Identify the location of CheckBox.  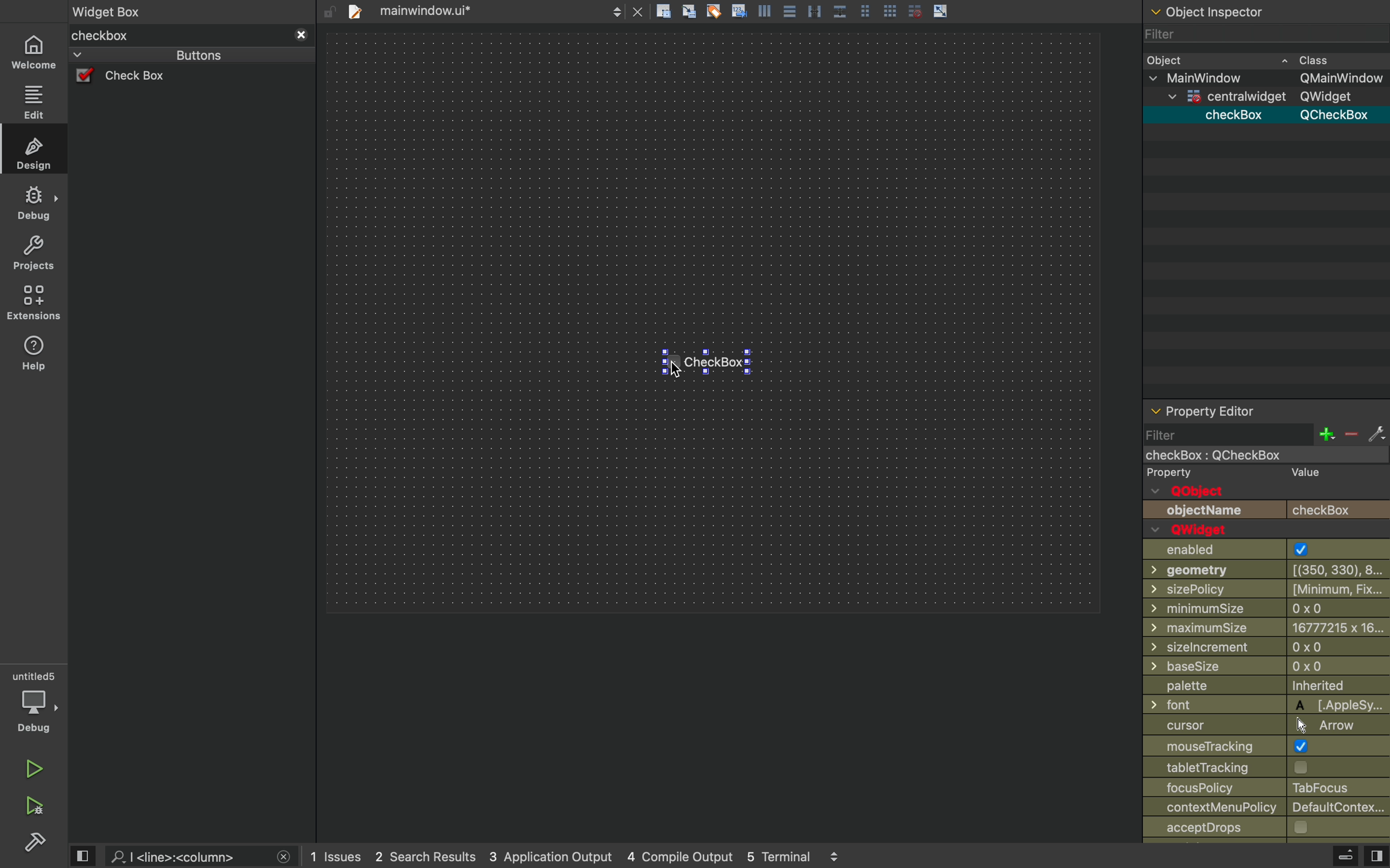
(718, 366).